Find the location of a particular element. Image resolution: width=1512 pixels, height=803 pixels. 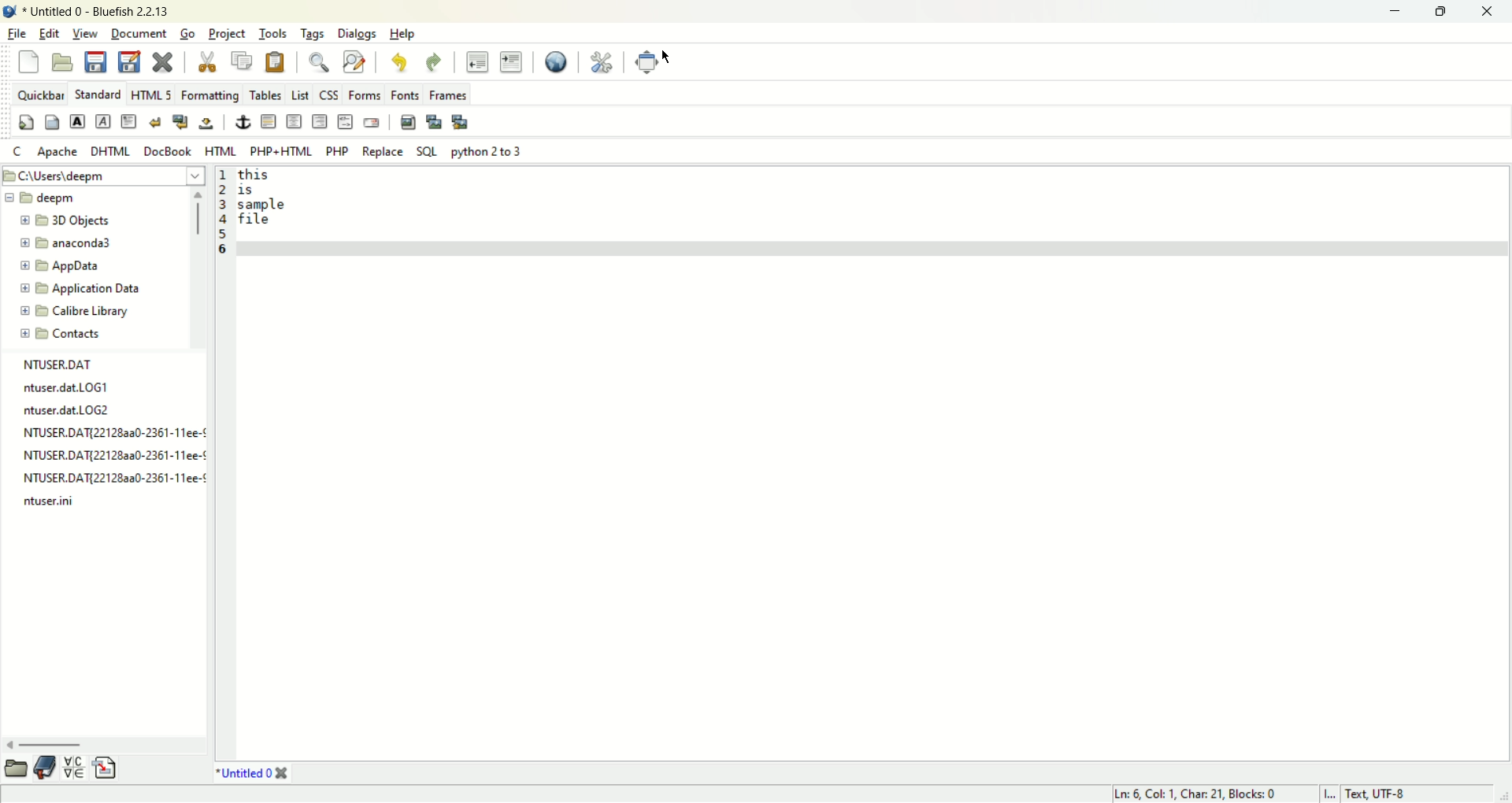

insert thumbnail is located at coordinates (432, 120).